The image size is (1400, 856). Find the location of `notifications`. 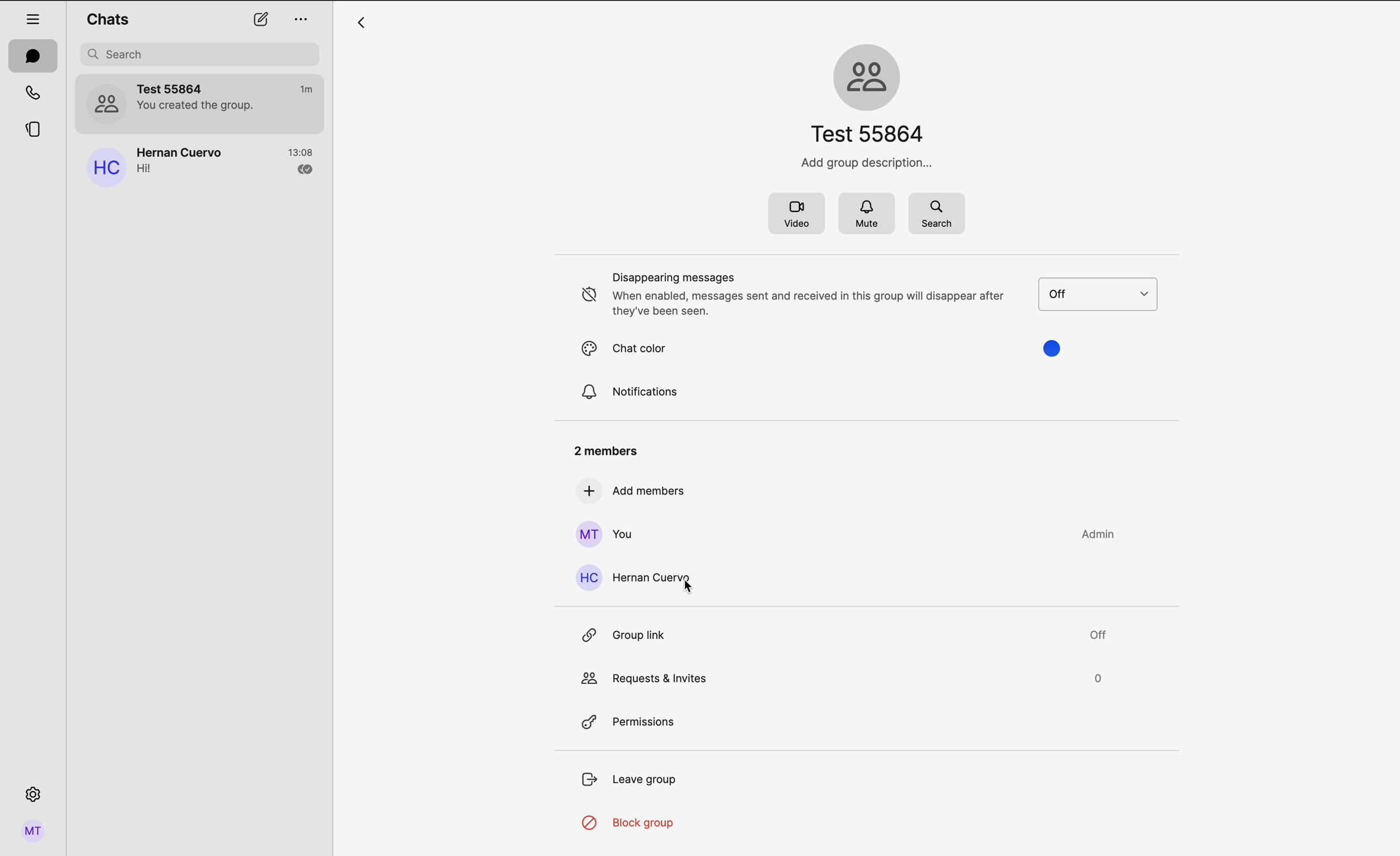

notifications is located at coordinates (629, 392).